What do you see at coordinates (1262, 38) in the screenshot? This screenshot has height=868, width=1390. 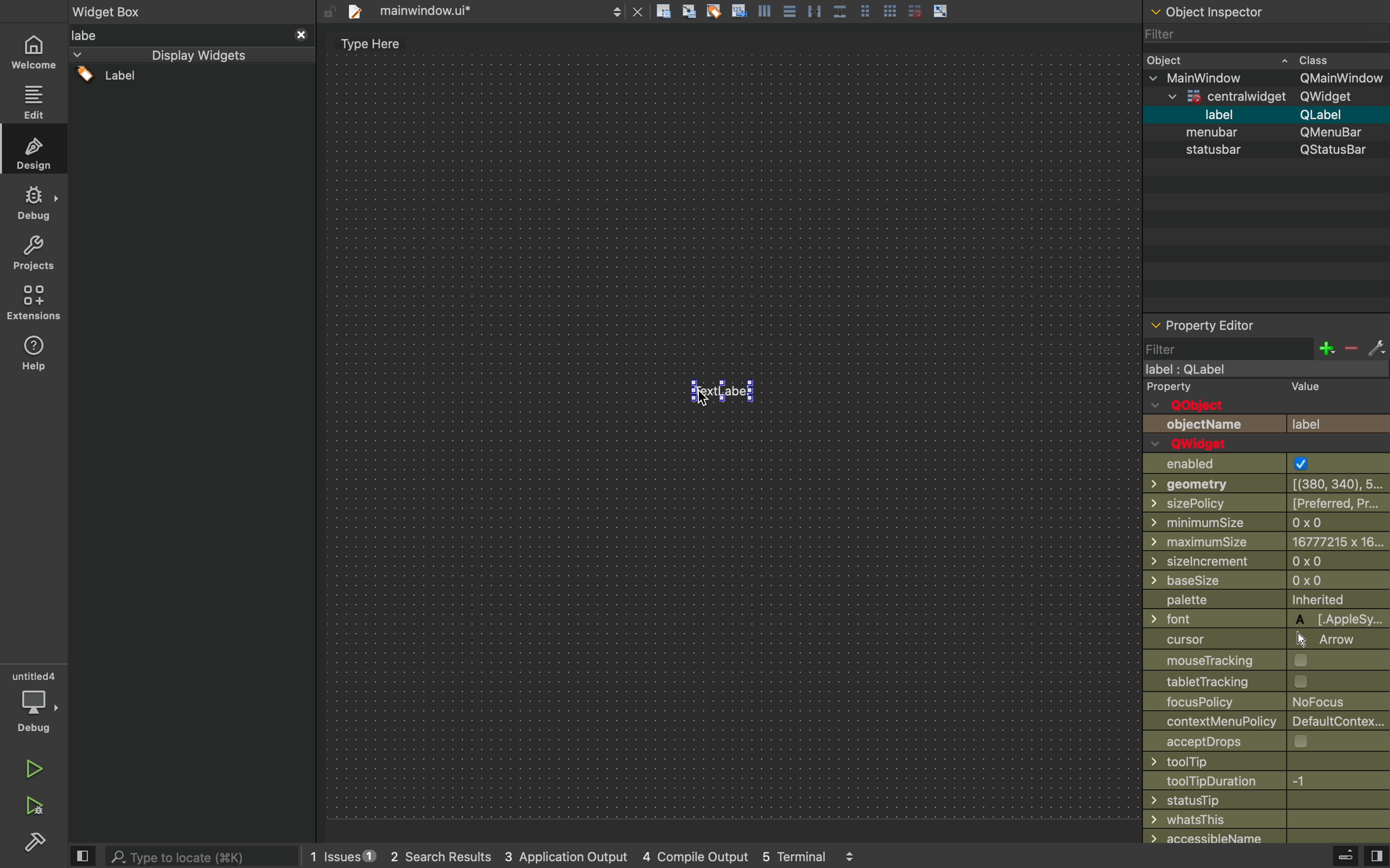 I see `filter` at bounding box center [1262, 38].